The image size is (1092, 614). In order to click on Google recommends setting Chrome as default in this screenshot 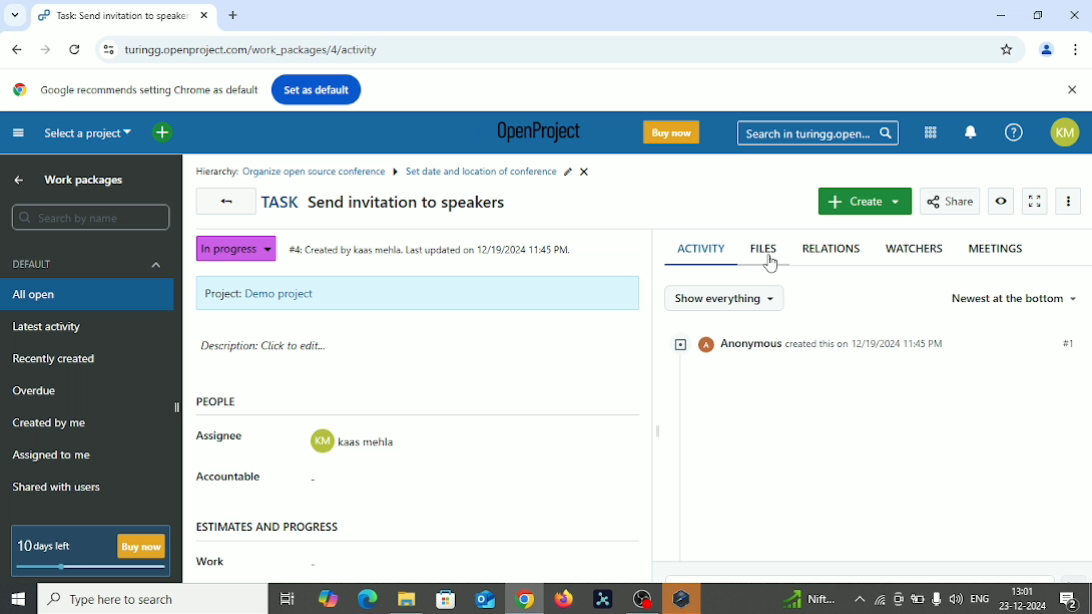, I will do `click(133, 90)`.